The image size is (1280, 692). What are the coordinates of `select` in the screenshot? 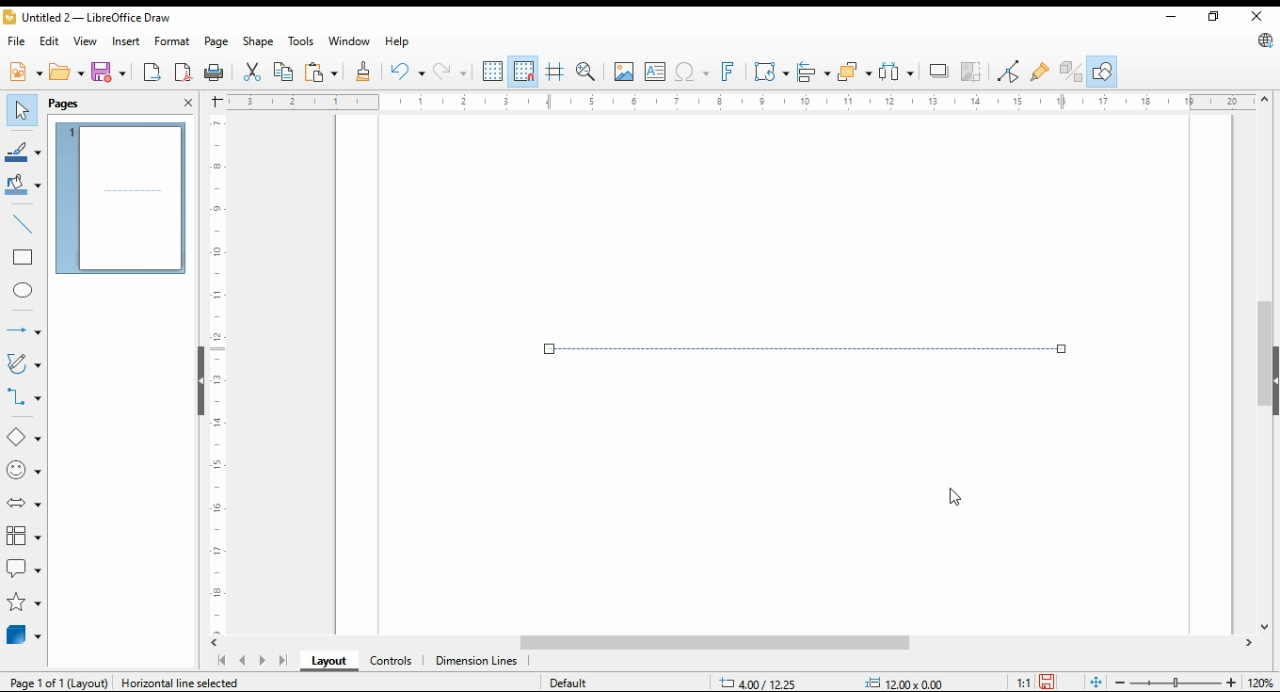 It's located at (22, 110).